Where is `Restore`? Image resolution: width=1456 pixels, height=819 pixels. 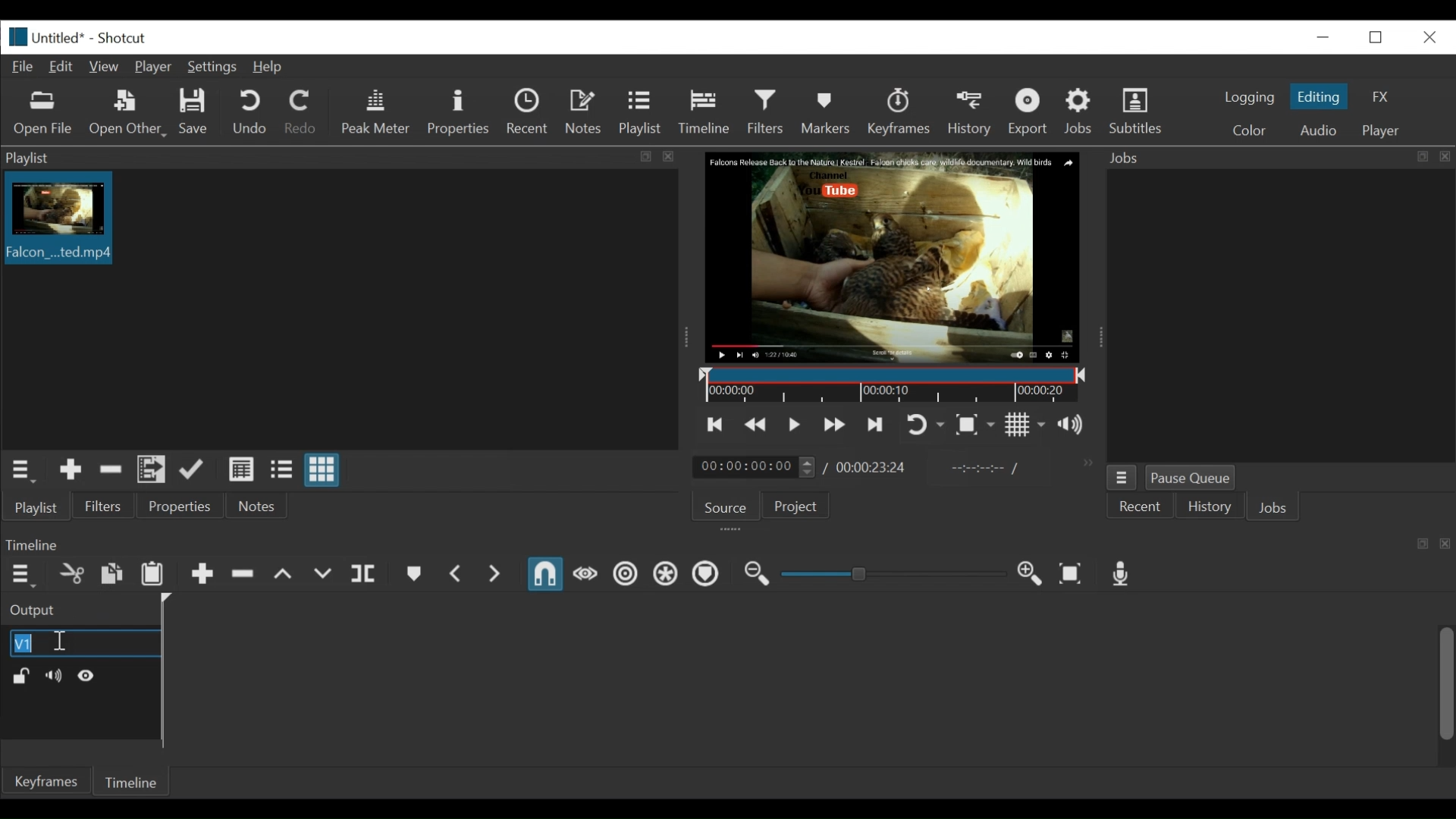
Restore is located at coordinates (1373, 36).